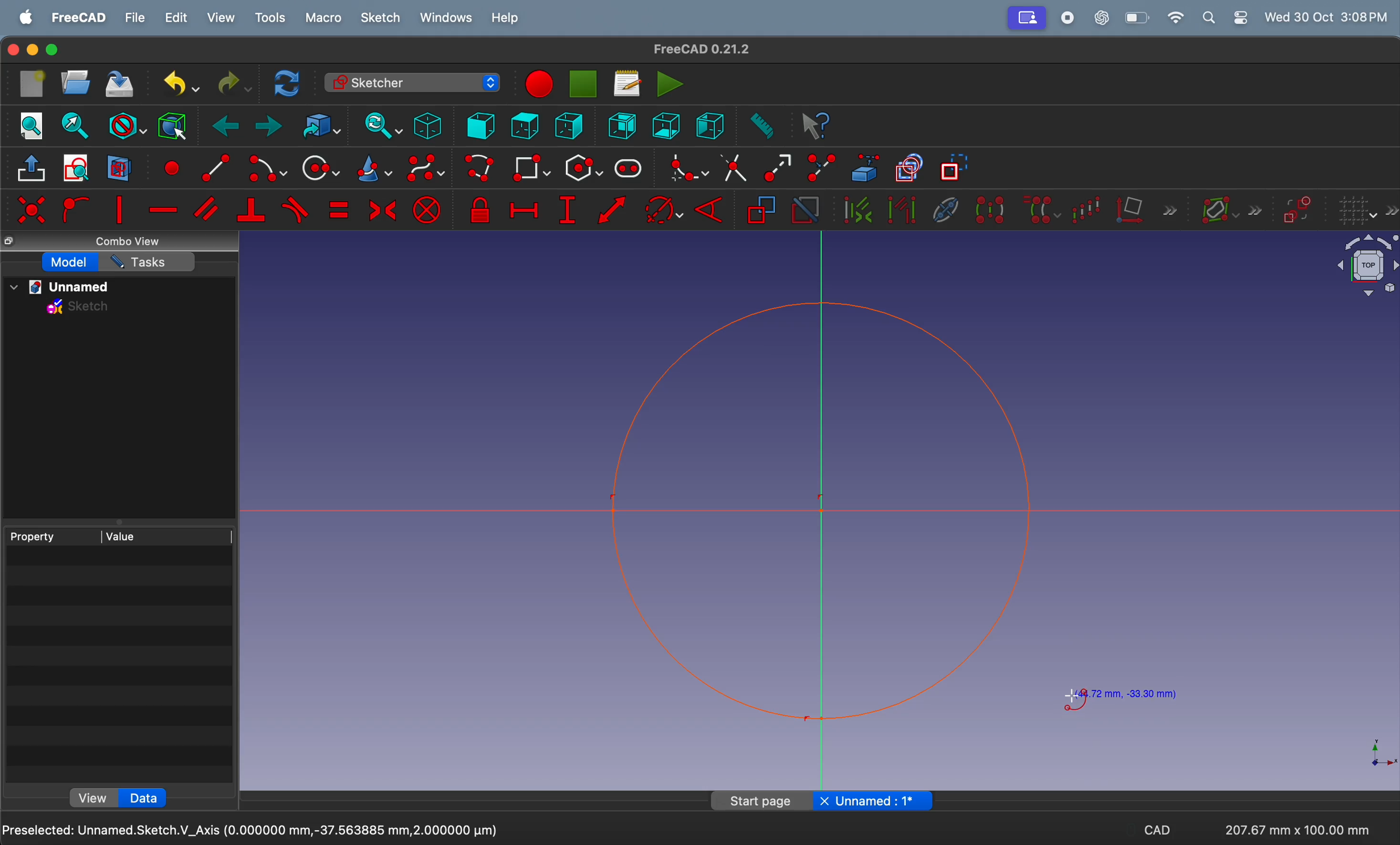  I want to click on edit, so click(178, 18).